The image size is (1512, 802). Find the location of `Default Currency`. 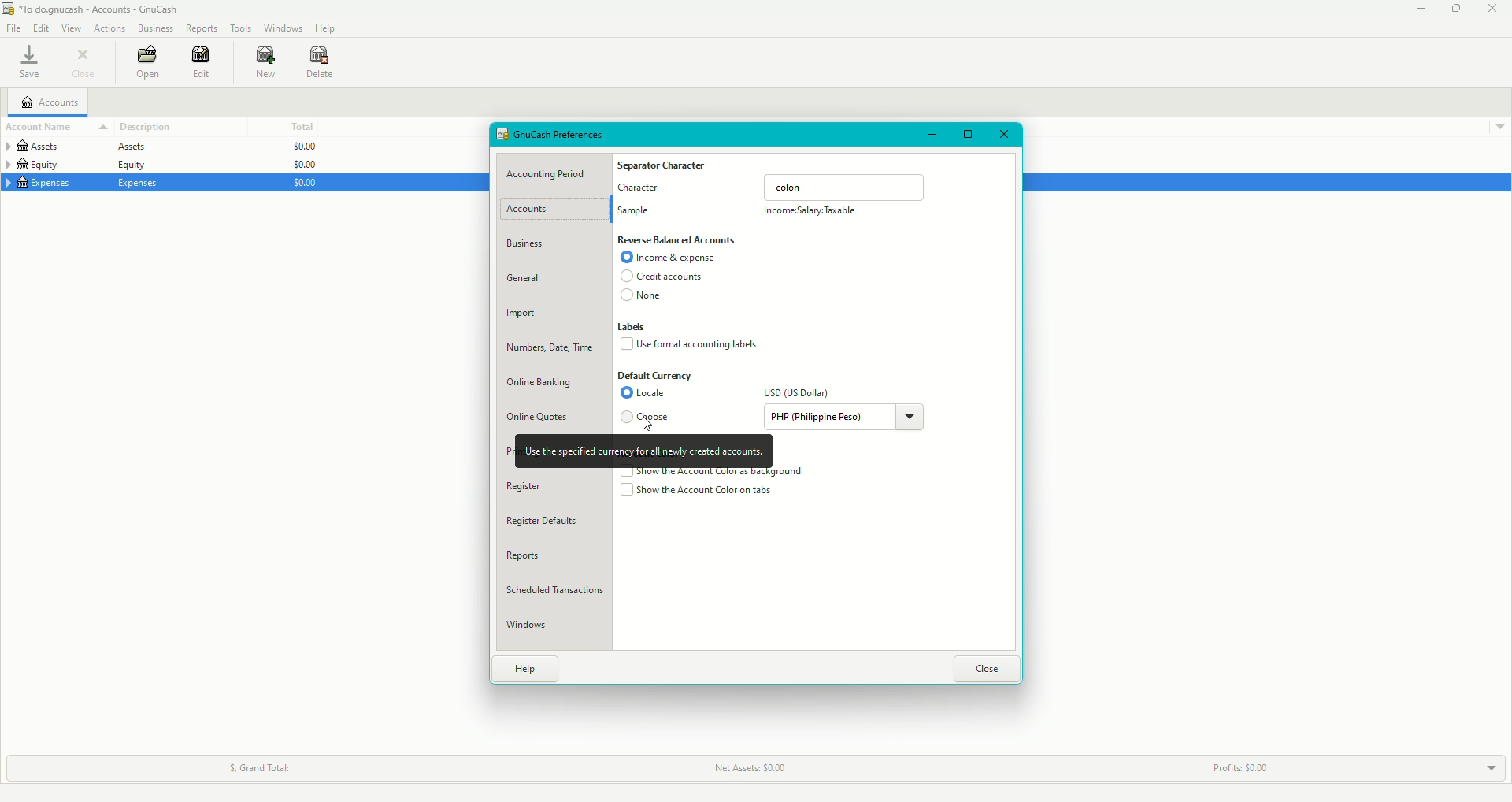

Default Currency is located at coordinates (656, 376).